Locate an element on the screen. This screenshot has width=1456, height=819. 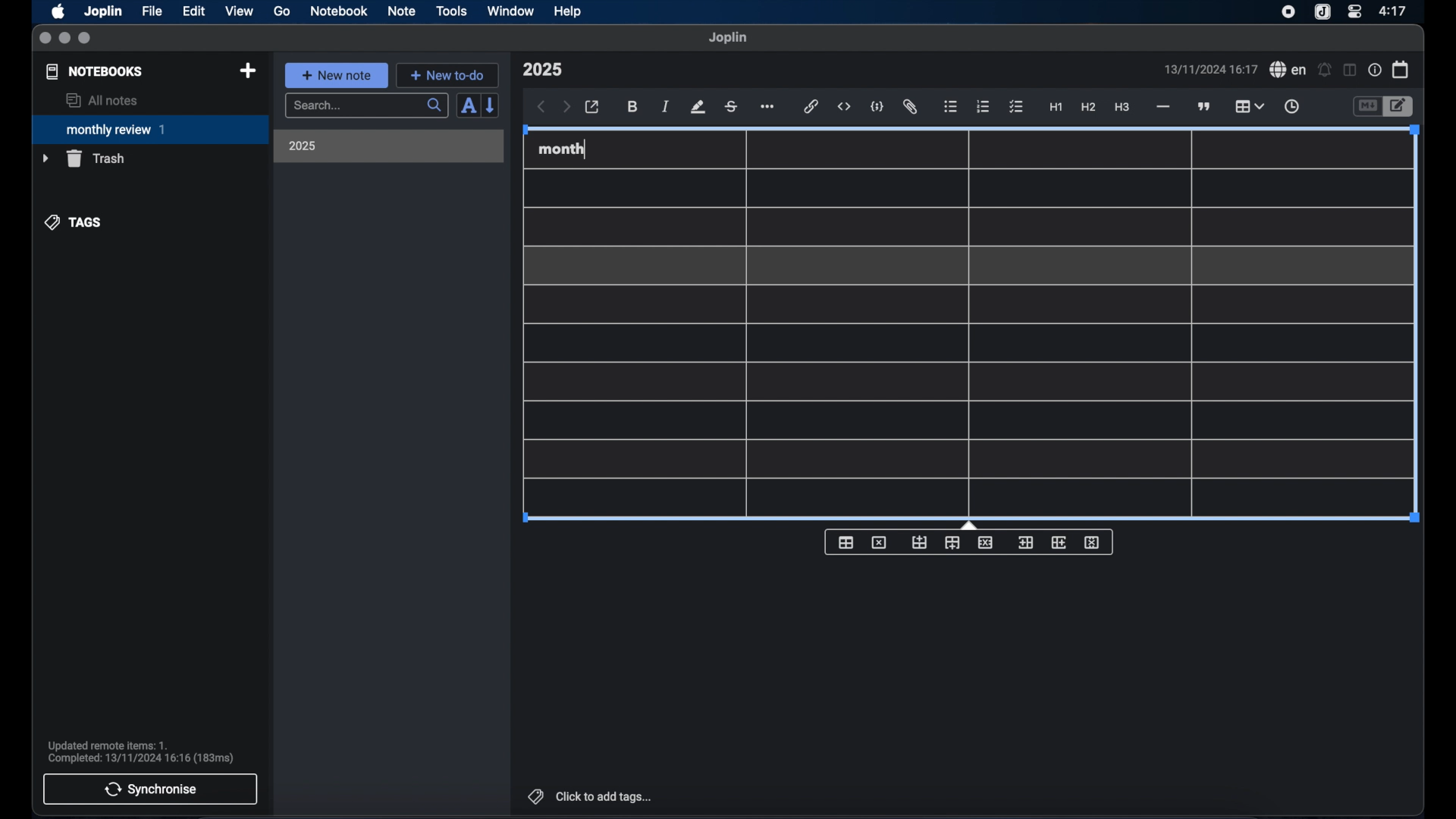
toggle editor is located at coordinates (1401, 107).